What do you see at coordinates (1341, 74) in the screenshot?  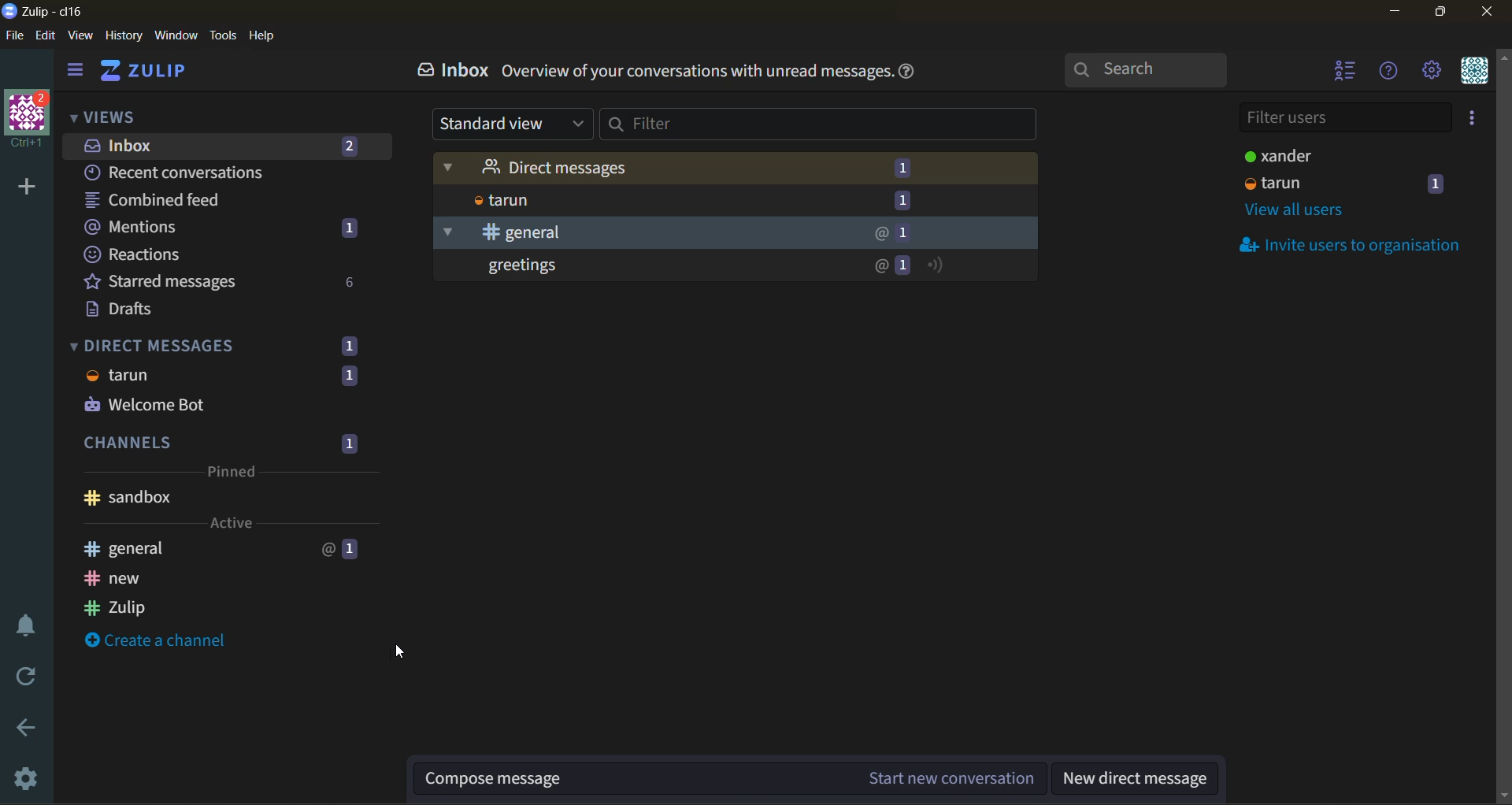 I see `hide user list` at bounding box center [1341, 74].